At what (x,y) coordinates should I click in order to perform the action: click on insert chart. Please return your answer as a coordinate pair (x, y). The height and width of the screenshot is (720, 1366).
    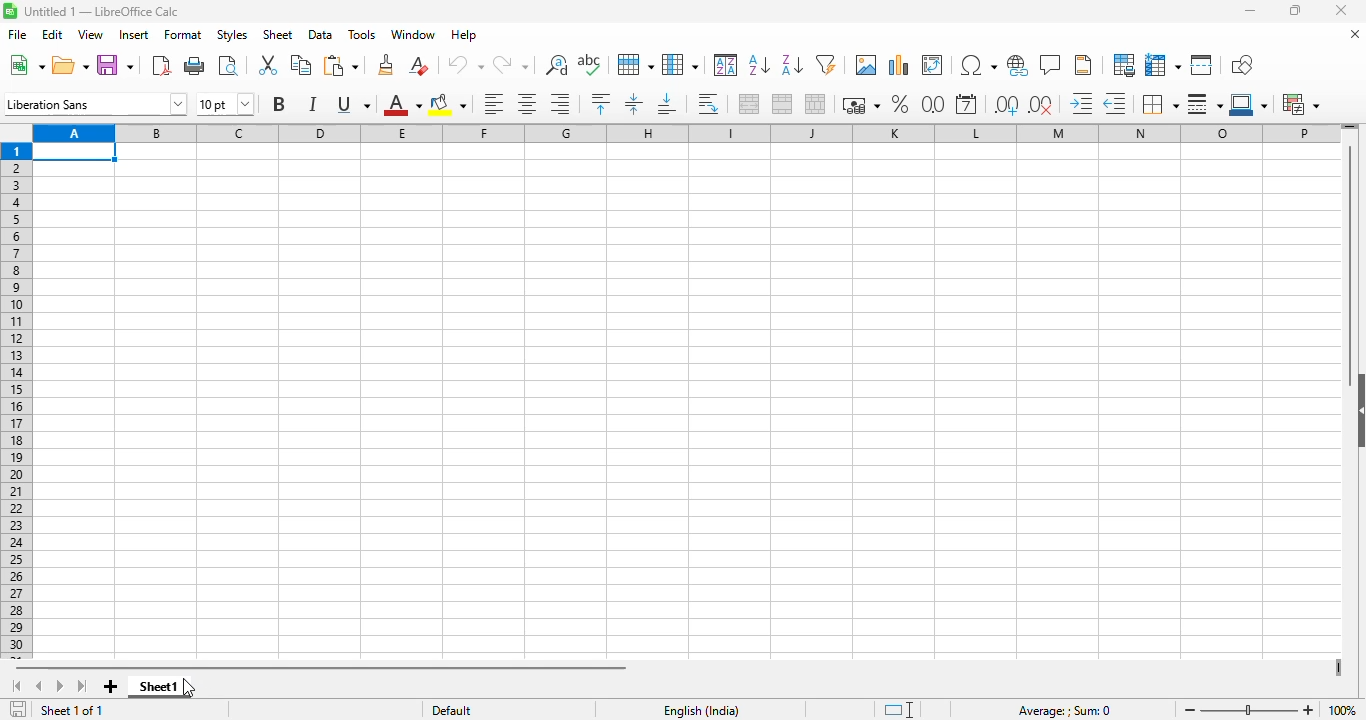
    Looking at the image, I should click on (897, 65).